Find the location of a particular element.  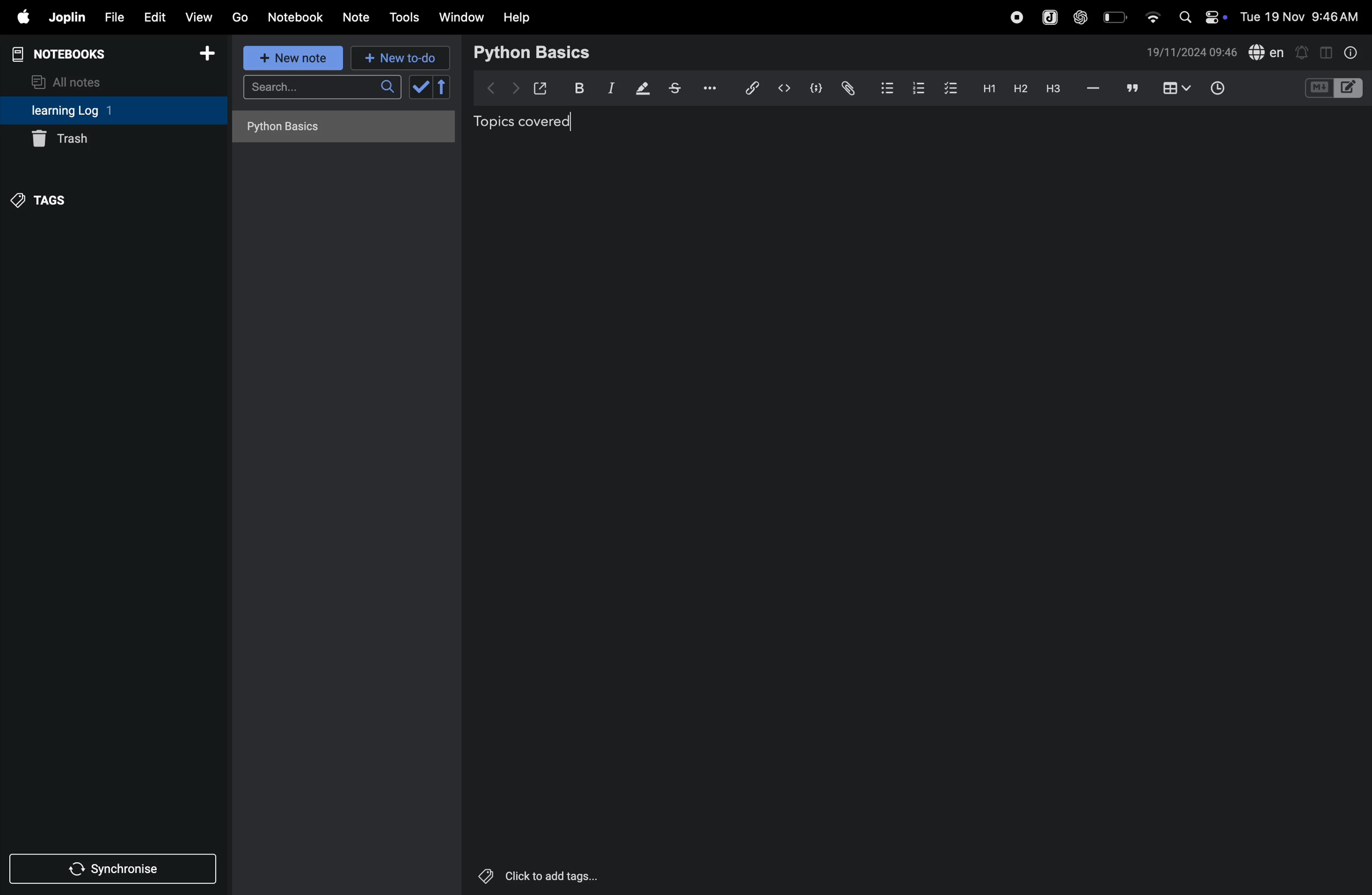

battery is located at coordinates (1116, 16).